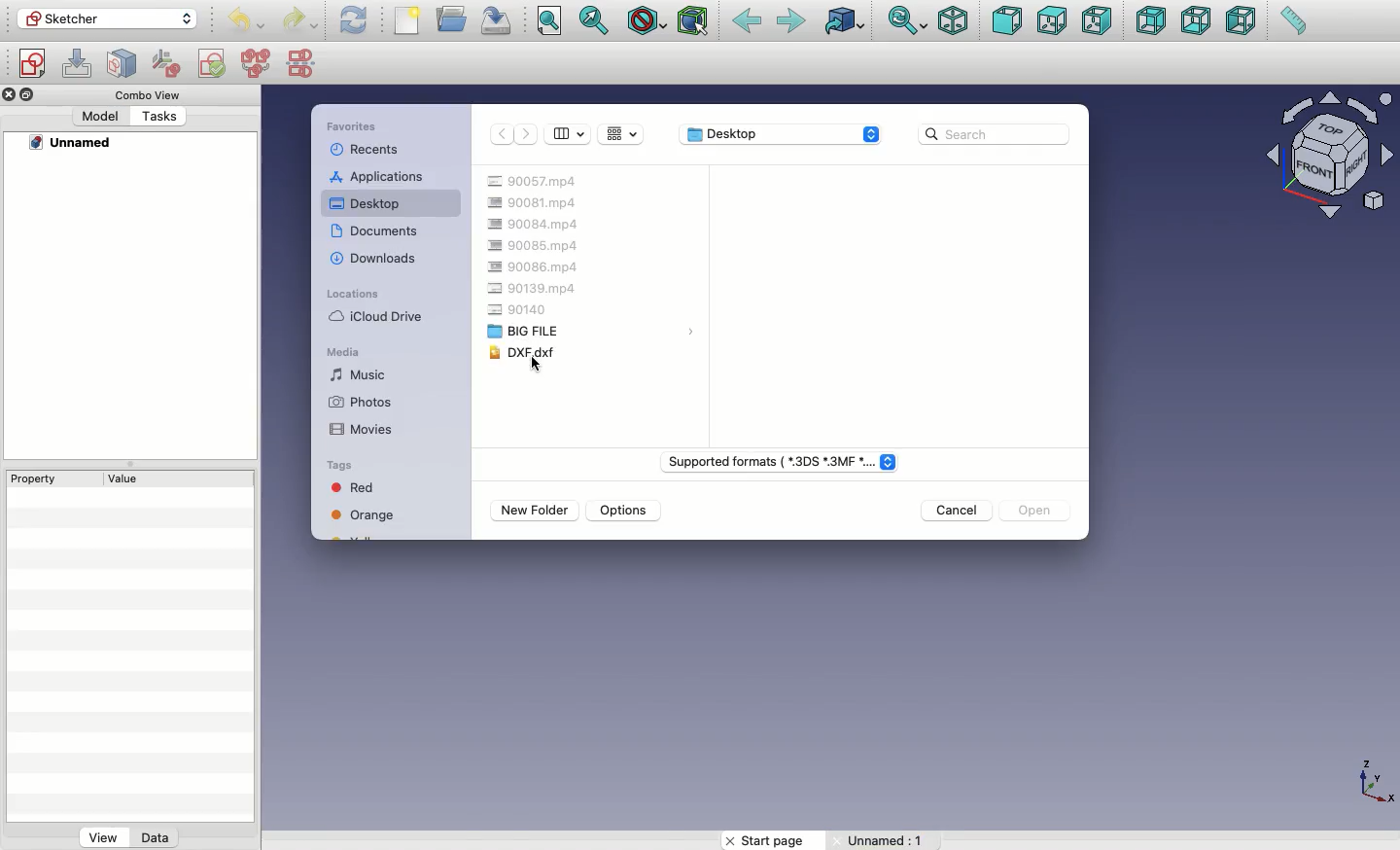 This screenshot has width=1400, height=850. What do you see at coordinates (501, 135) in the screenshot?
I see `Back` at bounding box center [501, 135].